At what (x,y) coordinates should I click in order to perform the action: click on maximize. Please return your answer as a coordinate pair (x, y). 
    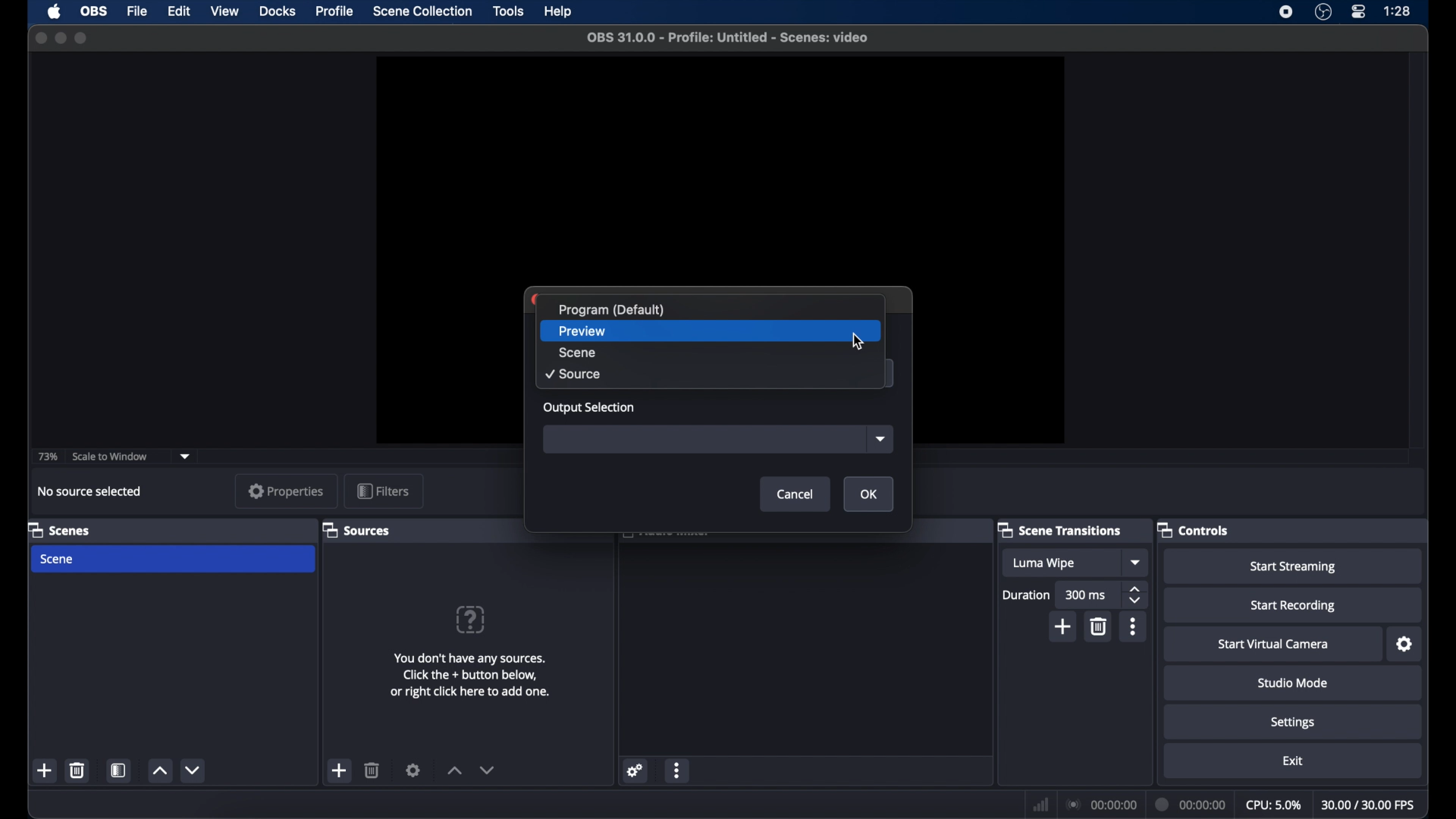
    Looking at the image, I should click on (83, 38).